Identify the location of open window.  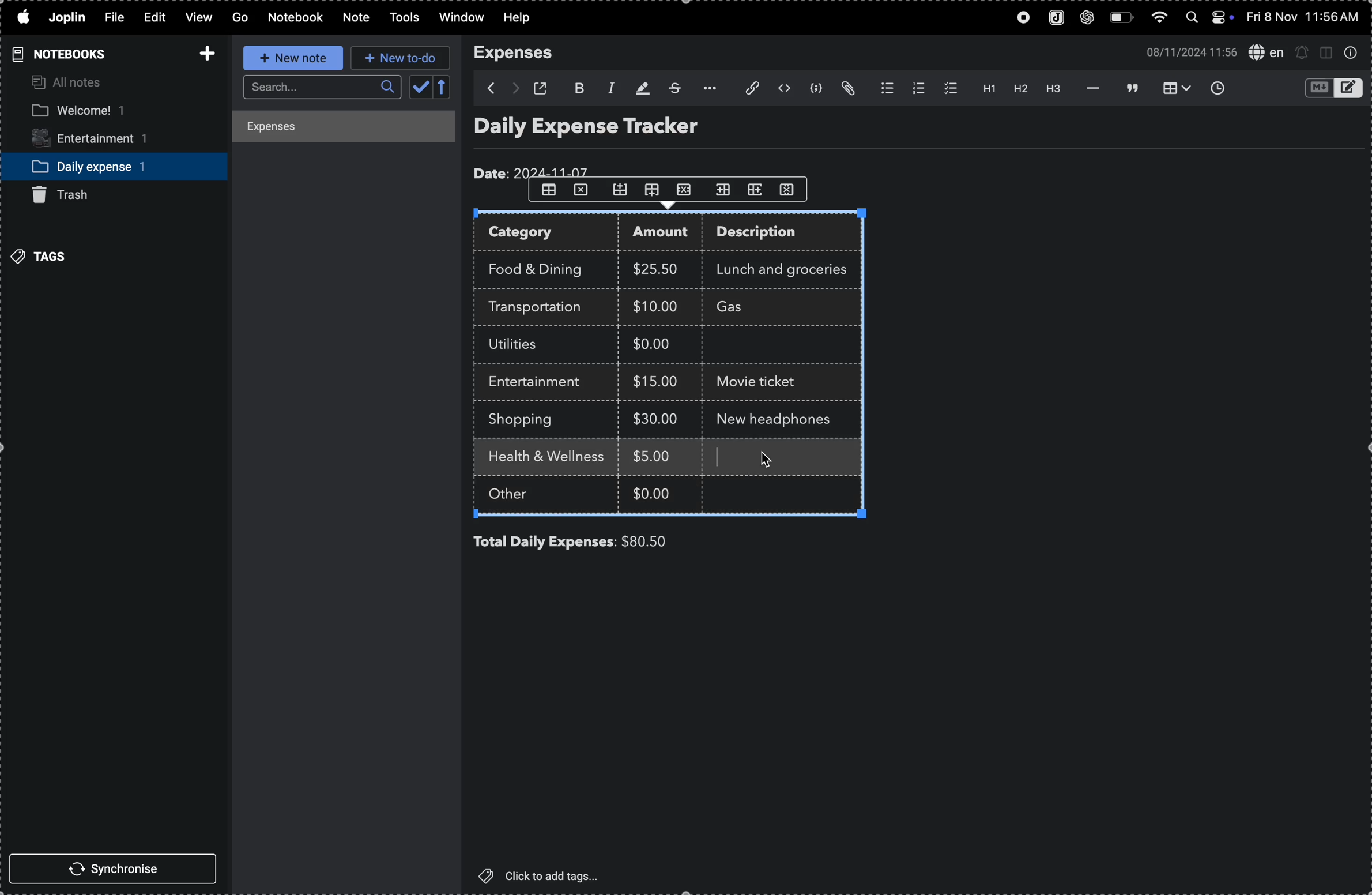
(544, 88).